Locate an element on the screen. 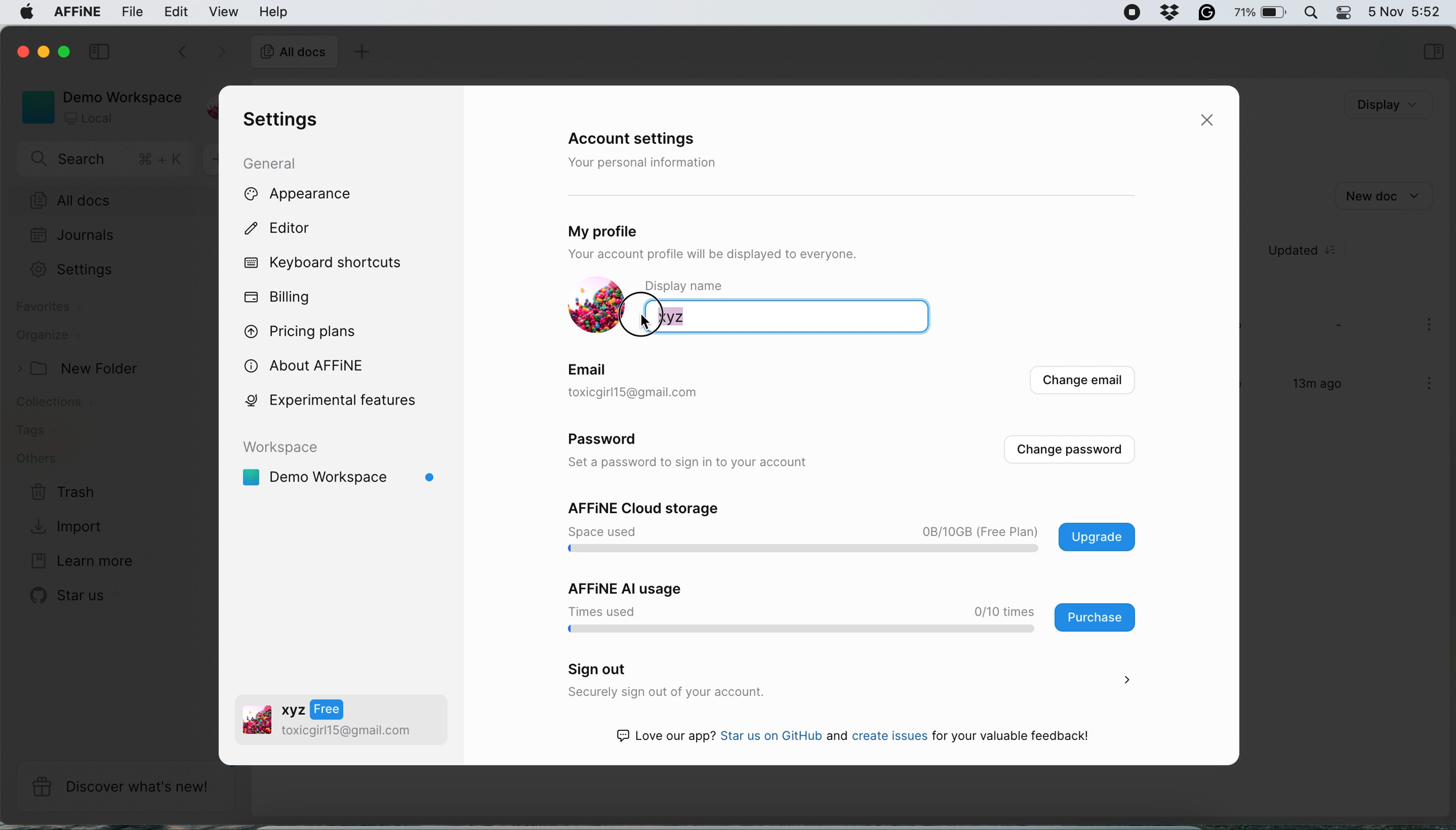  spotlight search is located at coordinates (1309, 12).